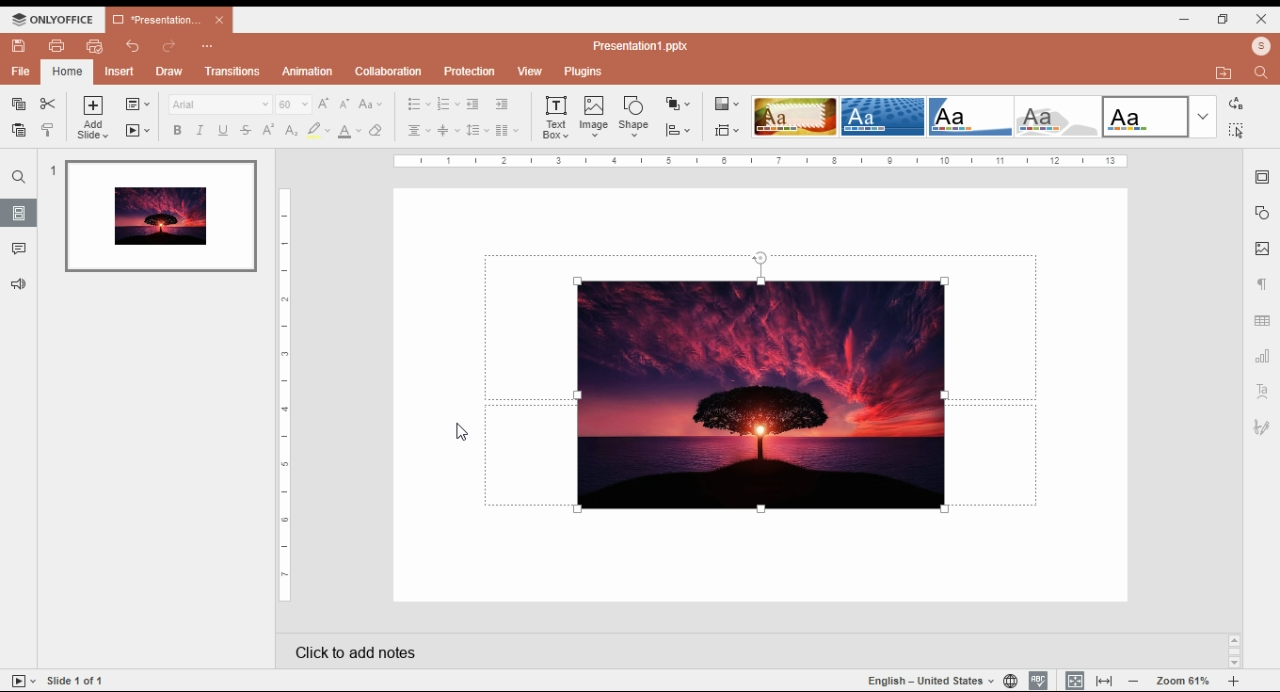  I want to click on shape settings, so click(1262, 214).